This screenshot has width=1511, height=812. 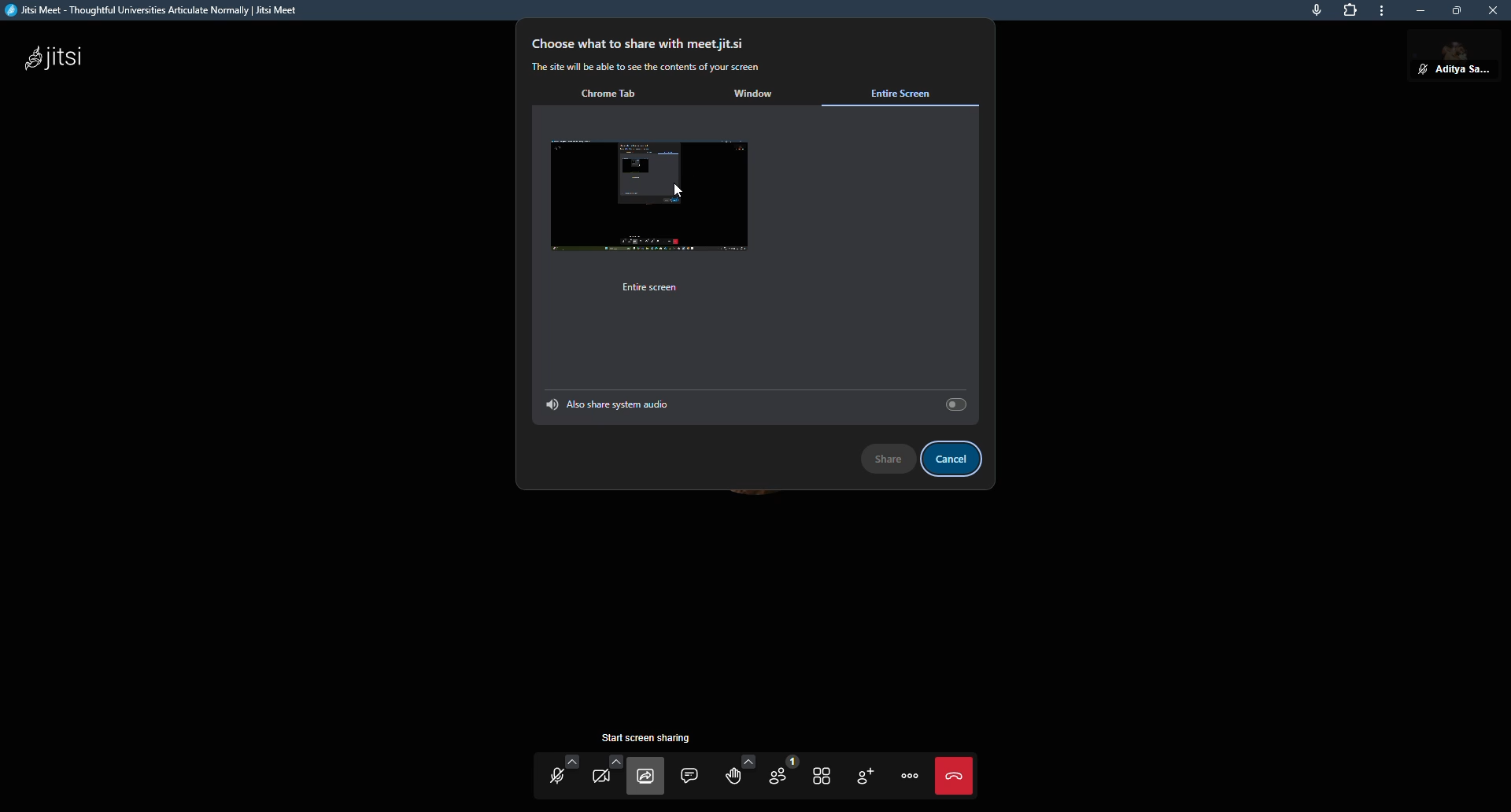 What do you see at coordinates (1381, 11) in the screenshot?
I see `more` at bounding box center [1381, 11].